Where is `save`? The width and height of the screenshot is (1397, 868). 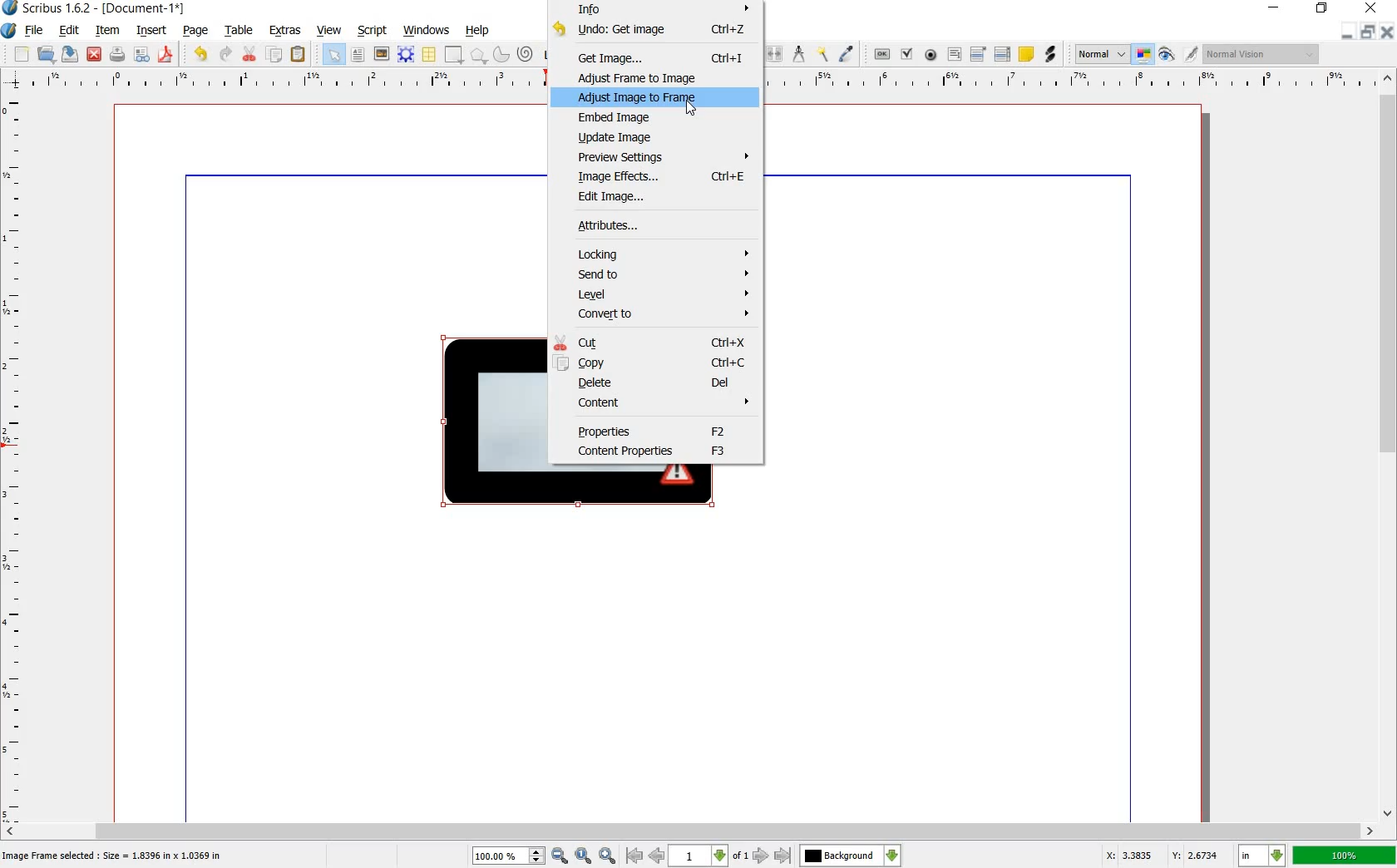
save is located at coordinates (70, 56).